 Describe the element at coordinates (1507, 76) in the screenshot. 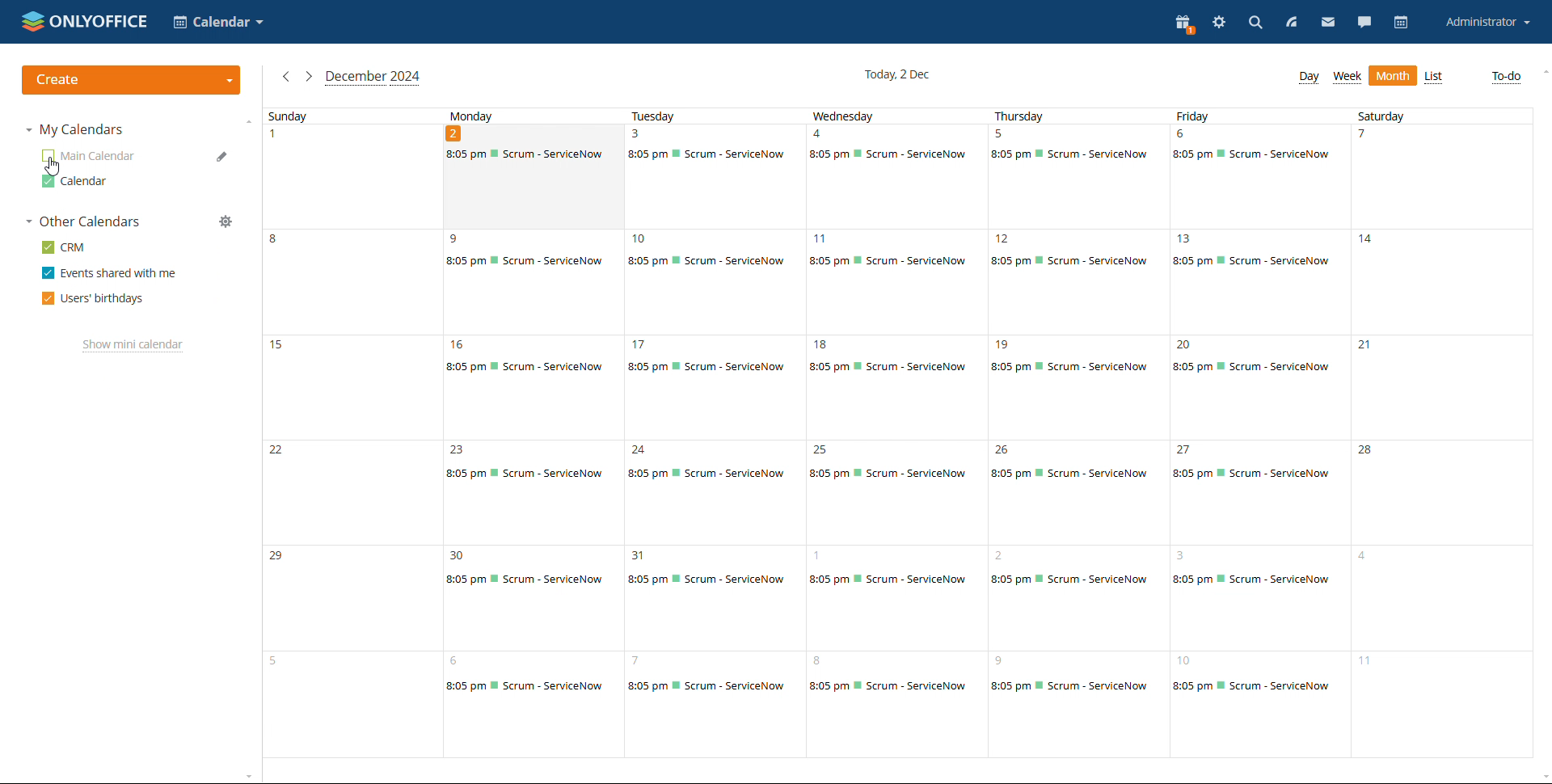

I see `to-do` at that location.